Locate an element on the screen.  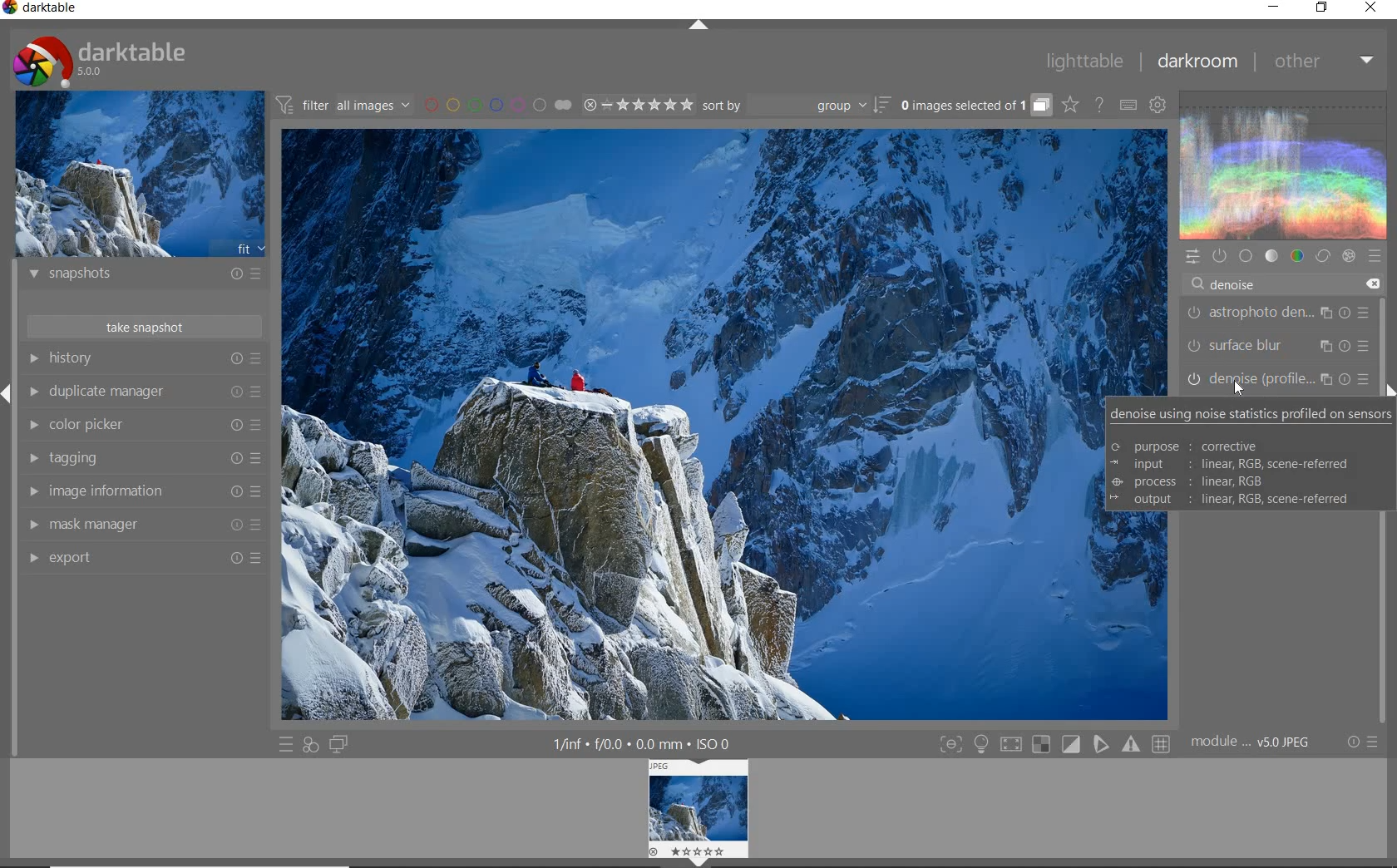
duplicate manager is located at coordinates (143, 392).